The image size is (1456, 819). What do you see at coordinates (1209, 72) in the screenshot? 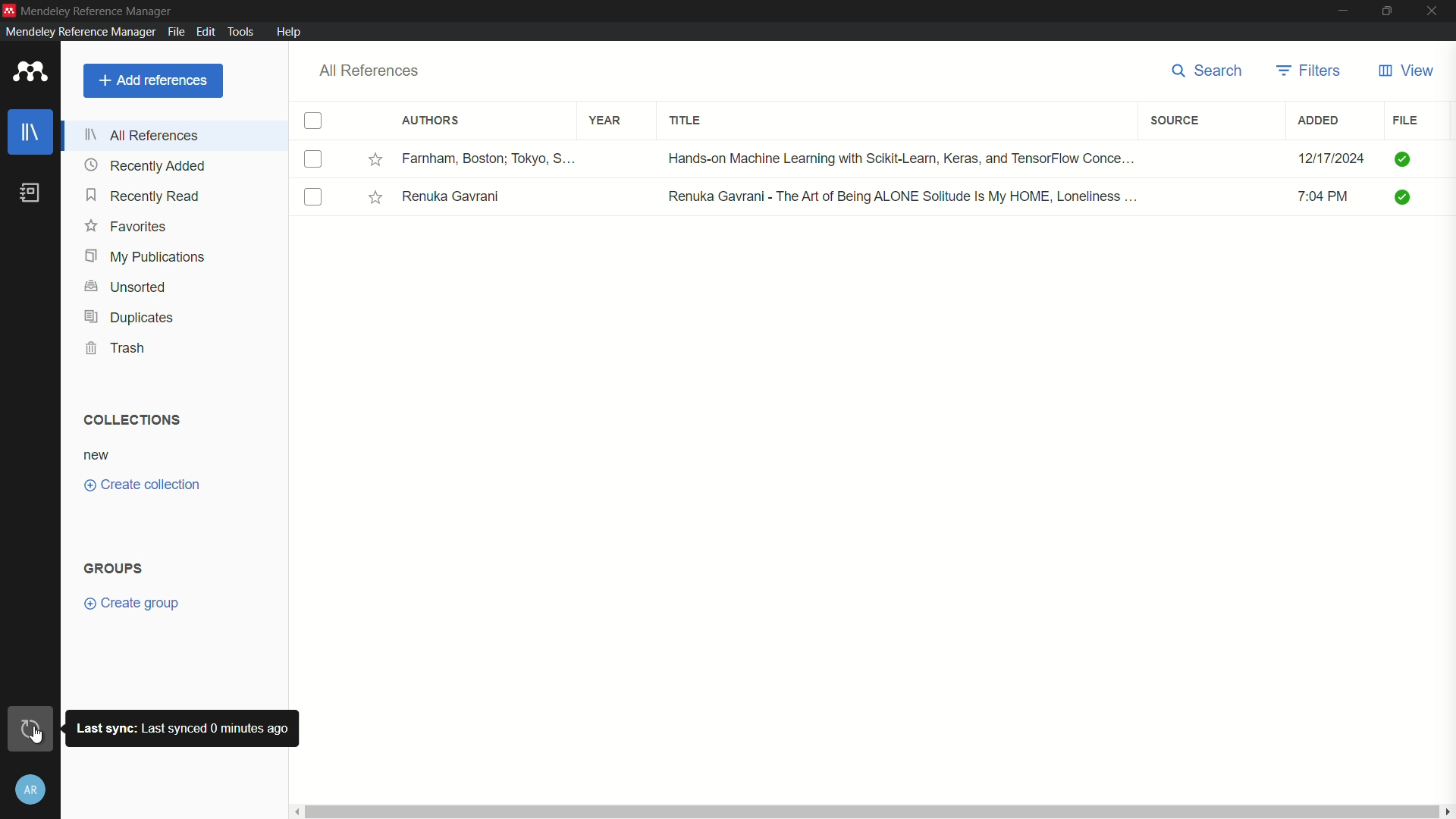
I see `search` at bounding box center [1209, 72].